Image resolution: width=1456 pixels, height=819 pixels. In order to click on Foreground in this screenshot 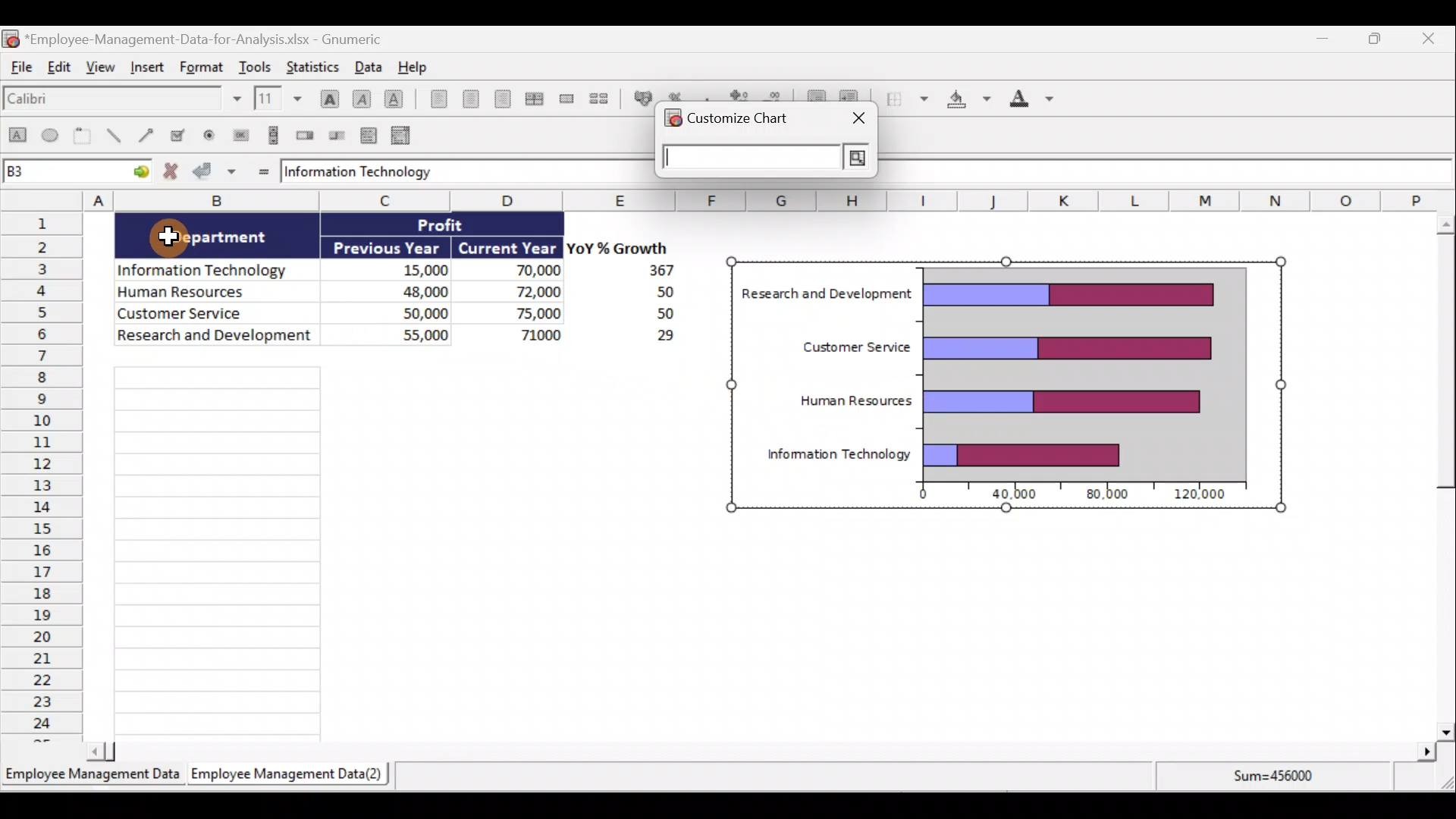, I will do `click(1038, 100)`.